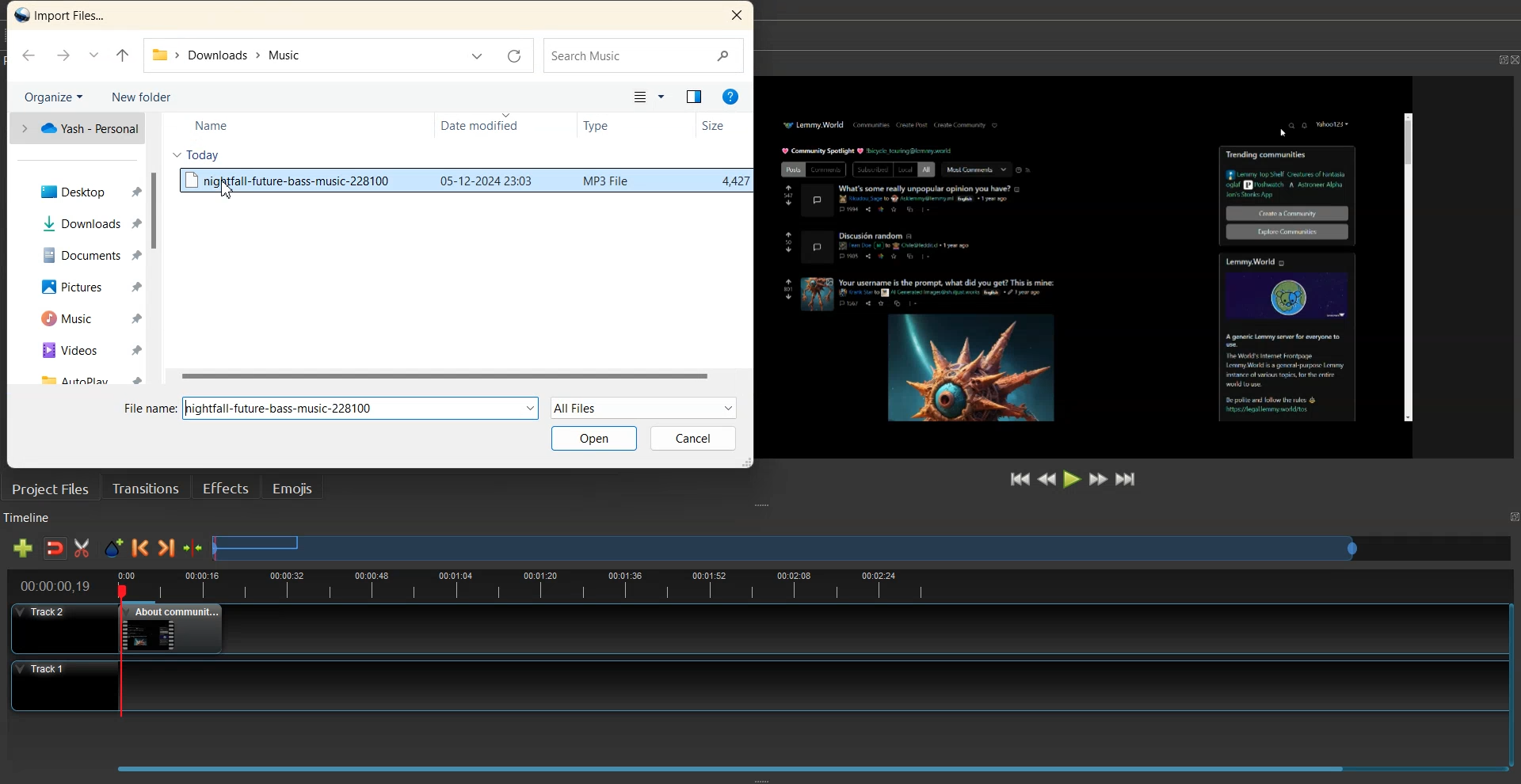  Describe the element at coordinates (1075, 268) in the screenshot. I see `File Preview` at that location.